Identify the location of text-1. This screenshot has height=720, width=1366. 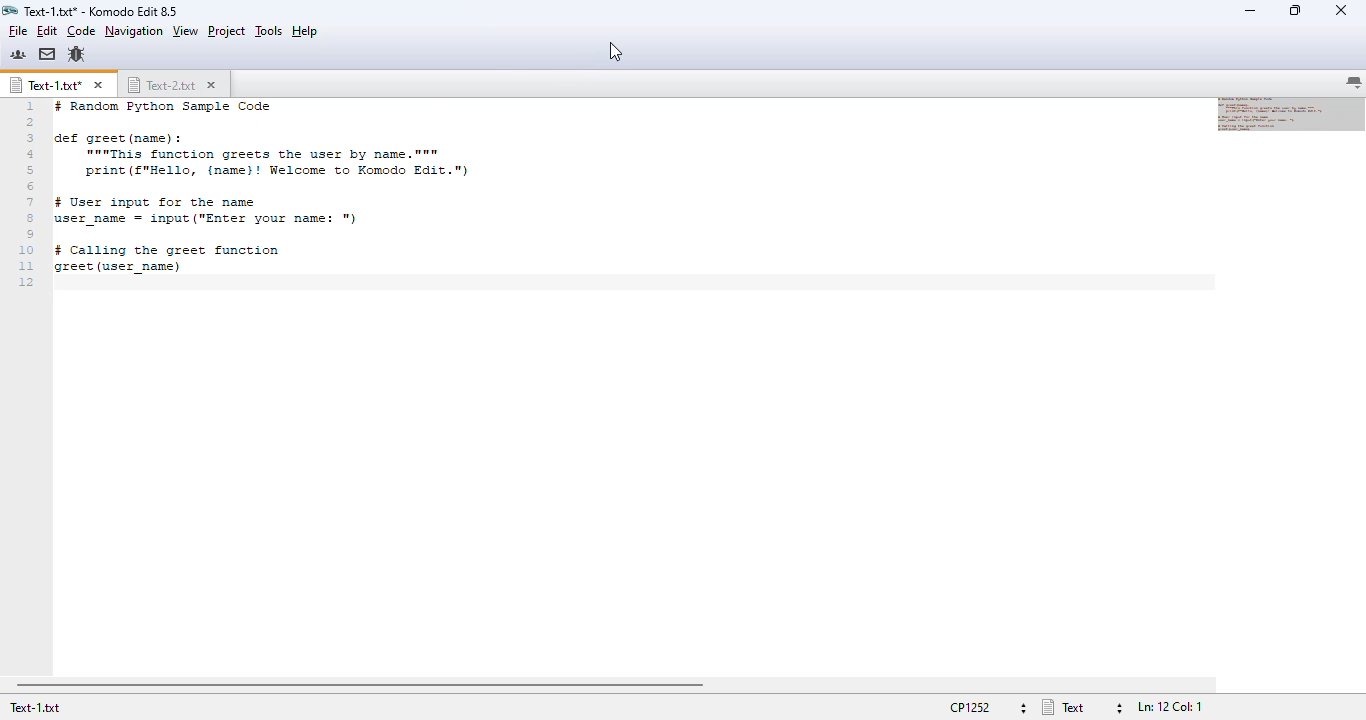
(46, 85).